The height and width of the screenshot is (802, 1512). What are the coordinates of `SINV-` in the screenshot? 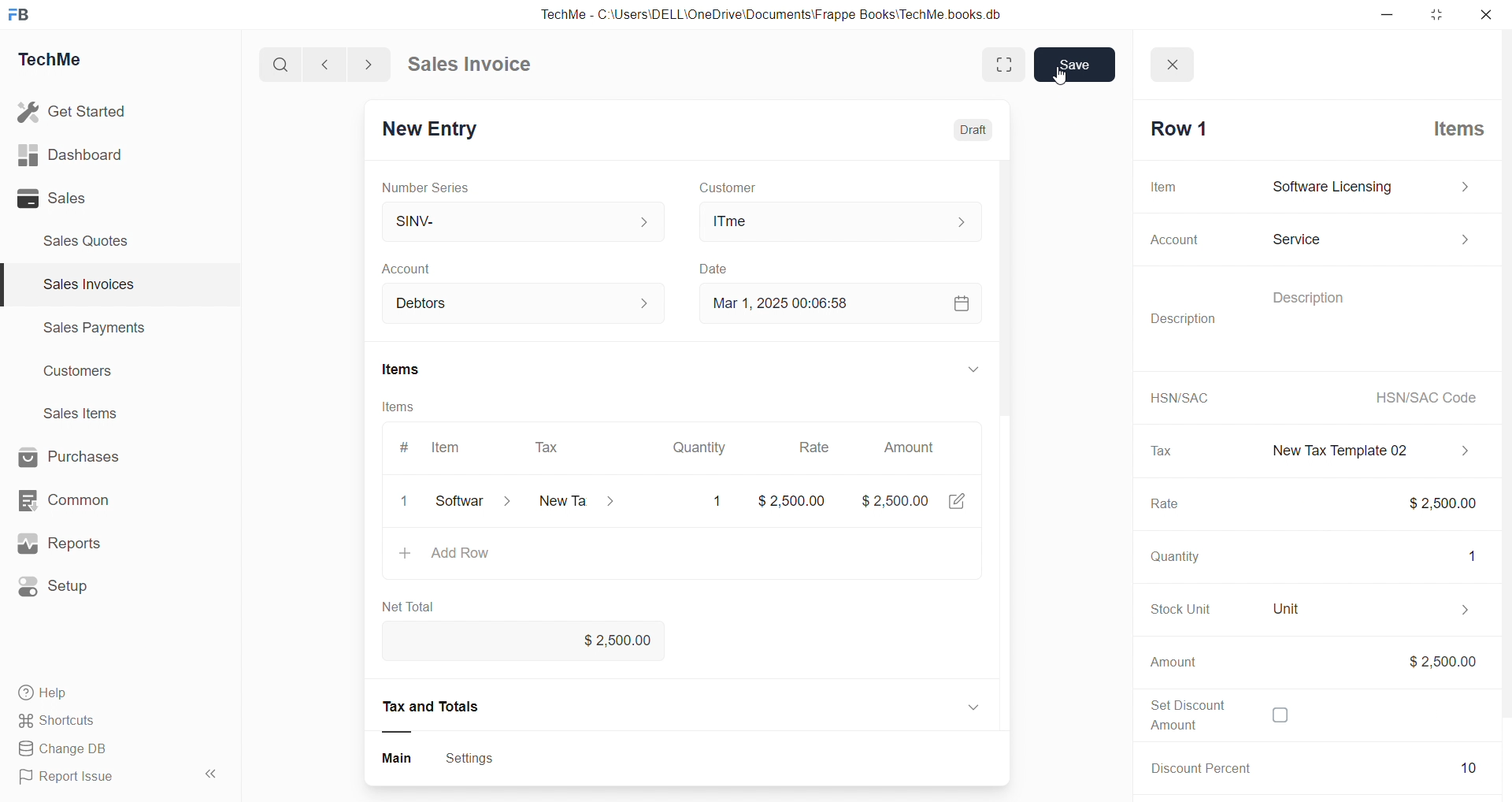 It's located at (513, 218).